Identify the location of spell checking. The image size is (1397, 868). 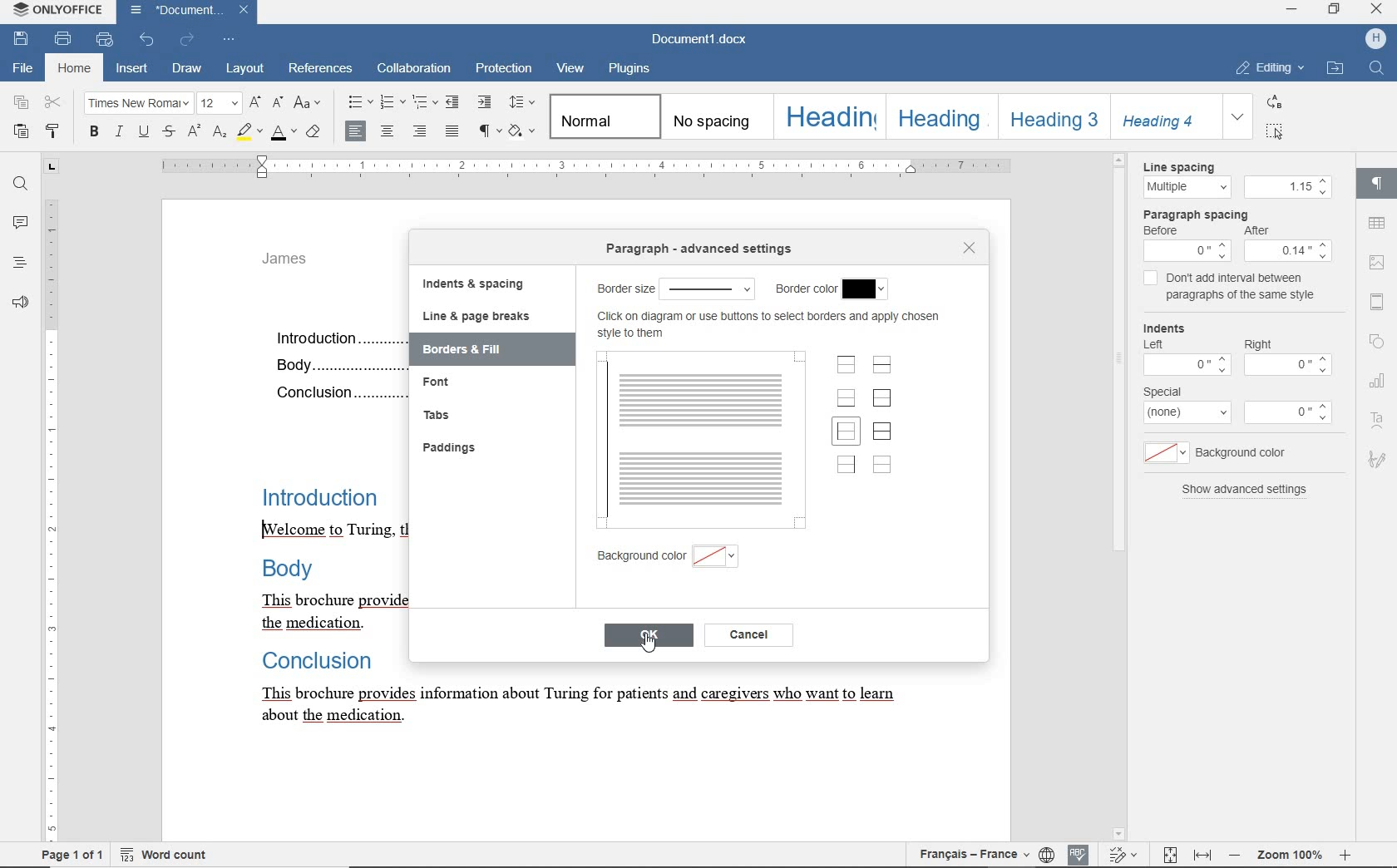
(1081, 855).